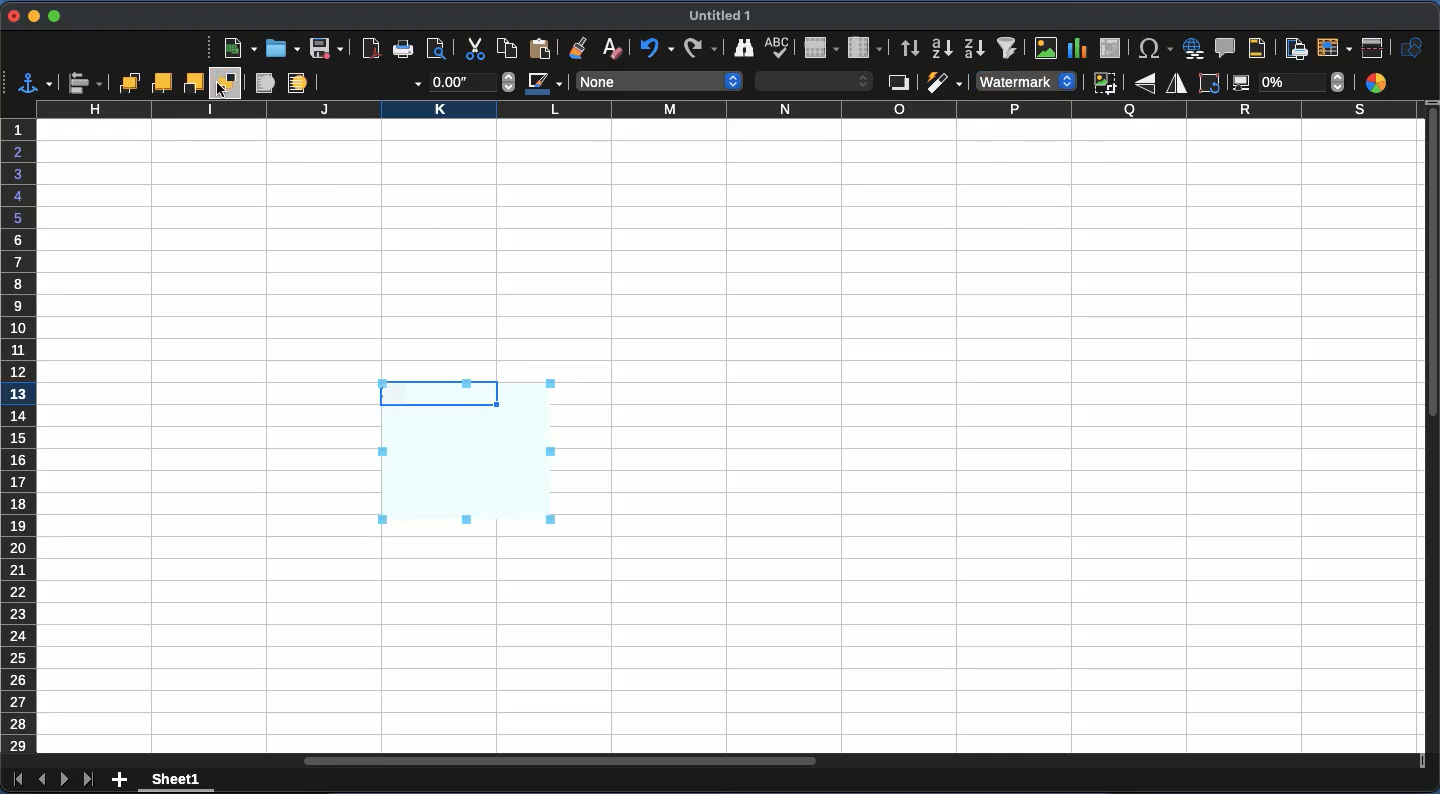  I want to click on pdf, so click(371, 48).